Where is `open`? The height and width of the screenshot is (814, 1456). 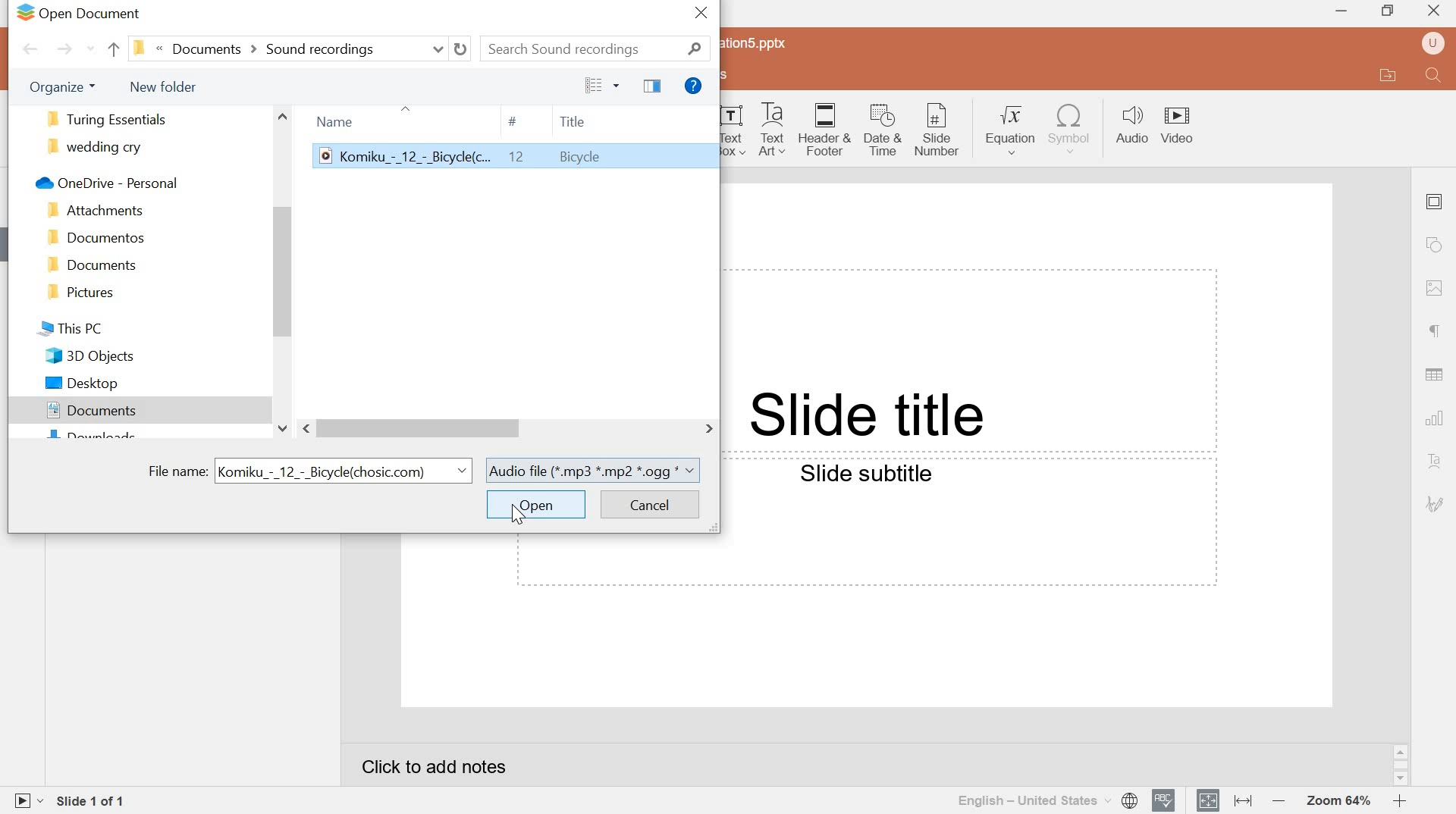
open is located at coordinates (535, 506).